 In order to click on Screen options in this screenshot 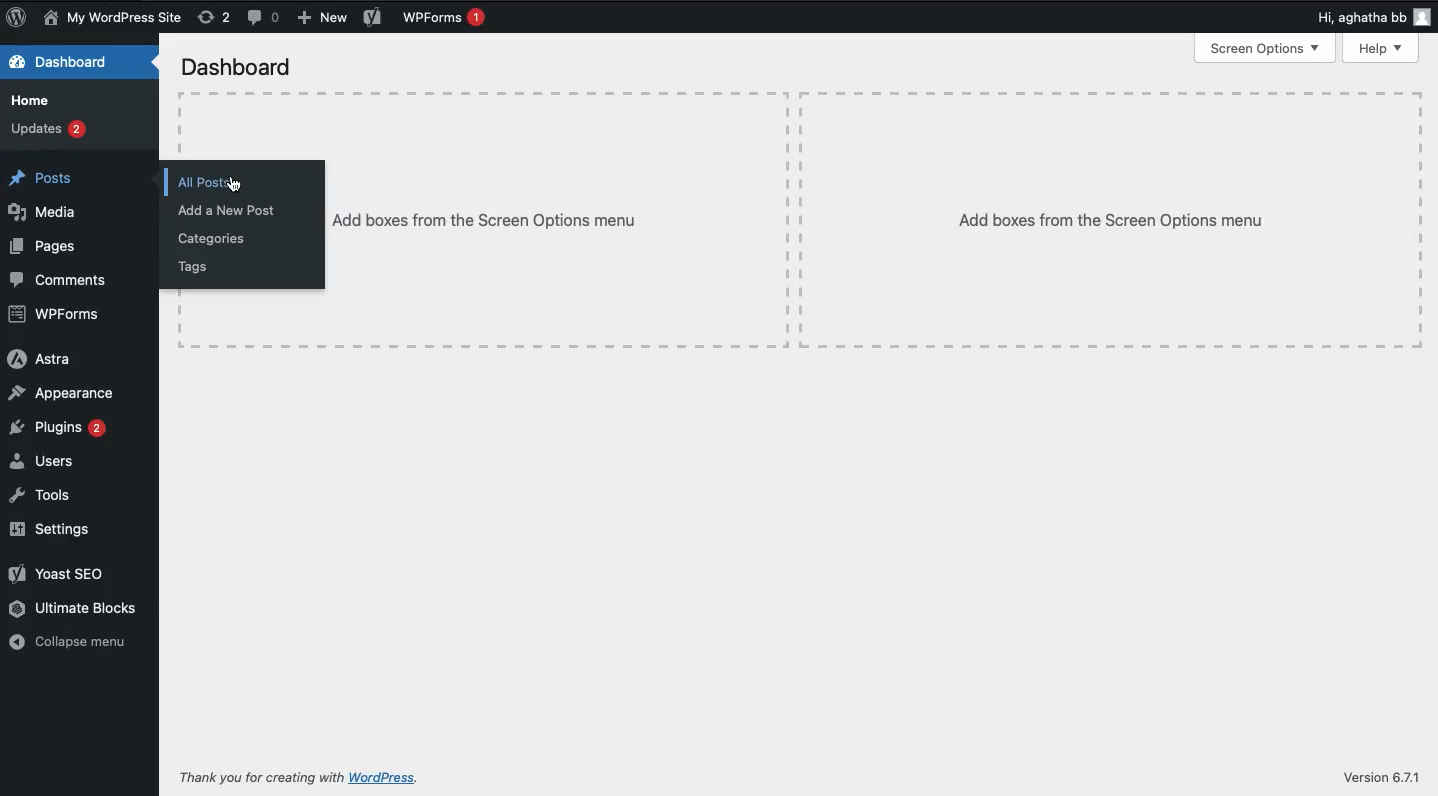, I will do `click(1266, 51)`.